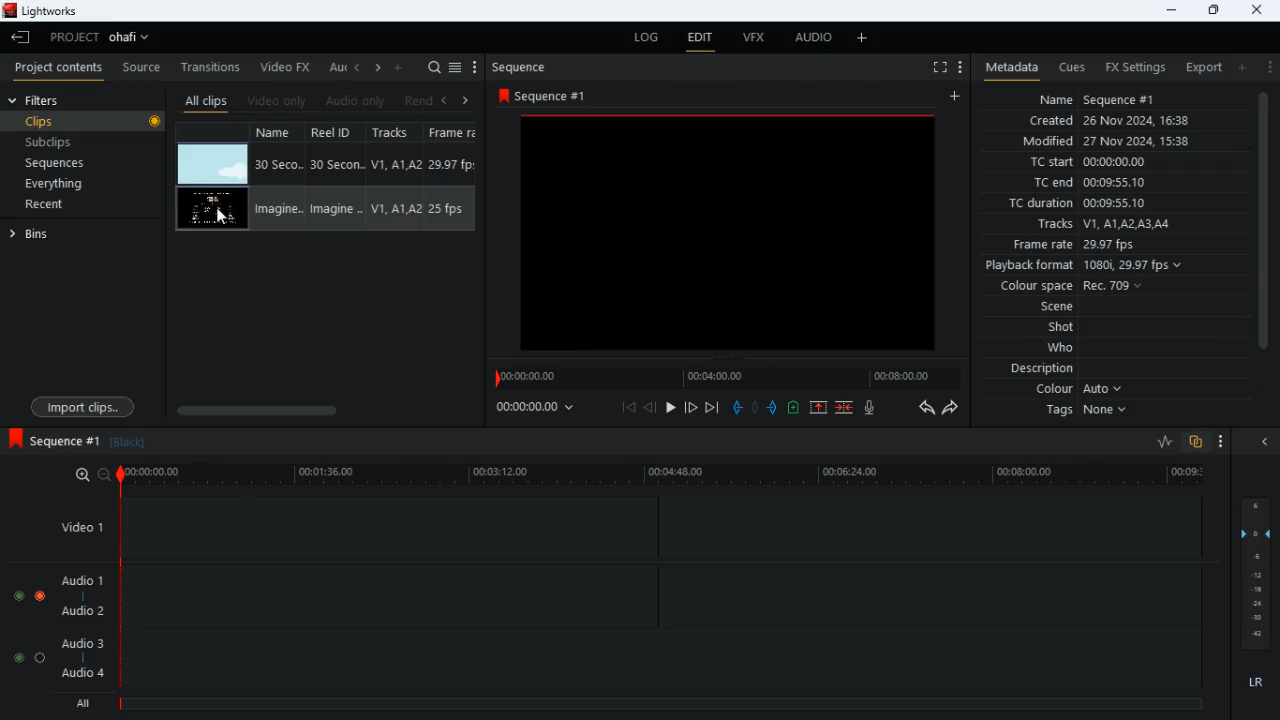  What do you see at coordinates (447, 100) in the screenshot?
I see `left` at bounding box center [447, 100].